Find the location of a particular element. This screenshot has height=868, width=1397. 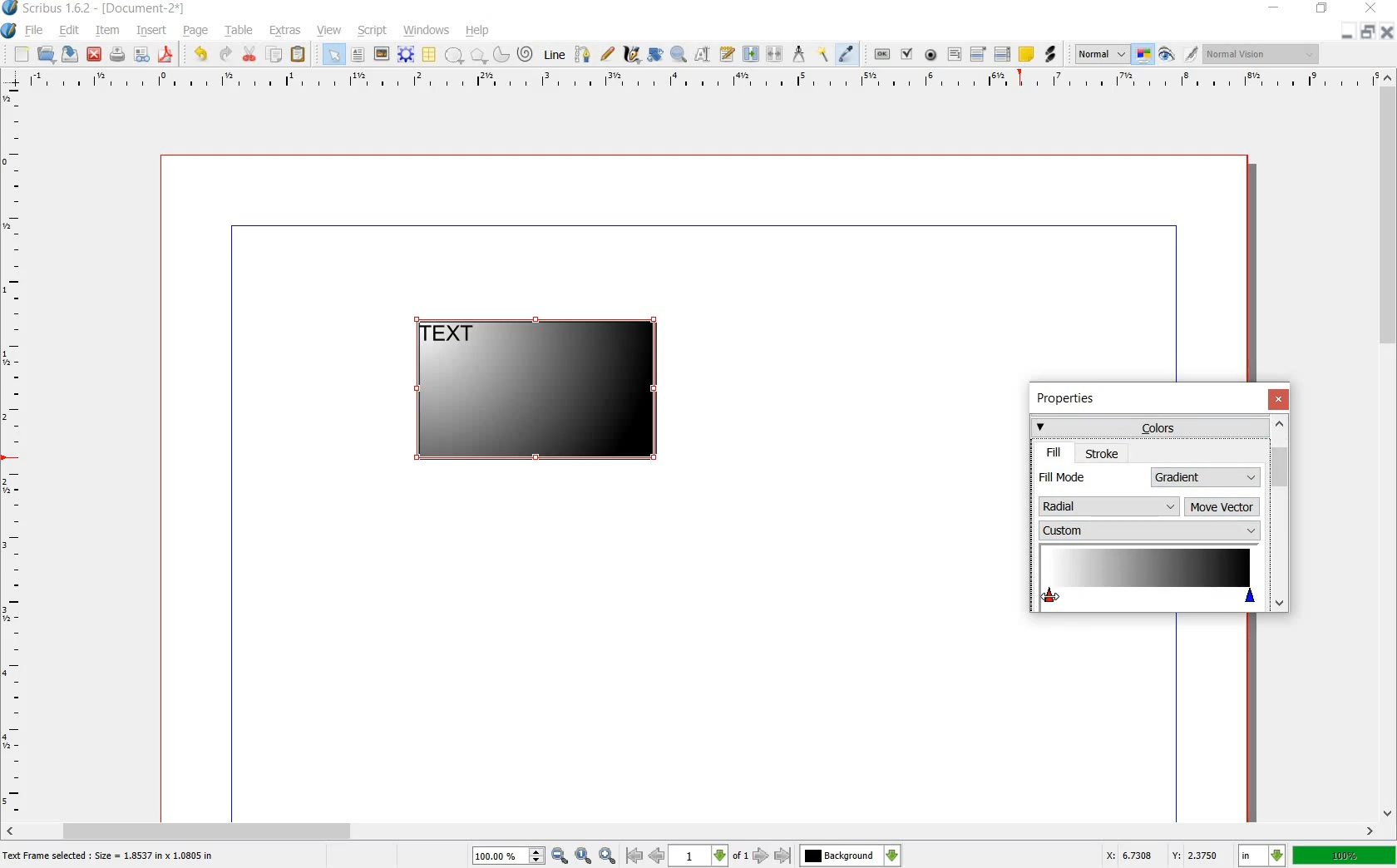

close is located at coordinates (1385, 32).